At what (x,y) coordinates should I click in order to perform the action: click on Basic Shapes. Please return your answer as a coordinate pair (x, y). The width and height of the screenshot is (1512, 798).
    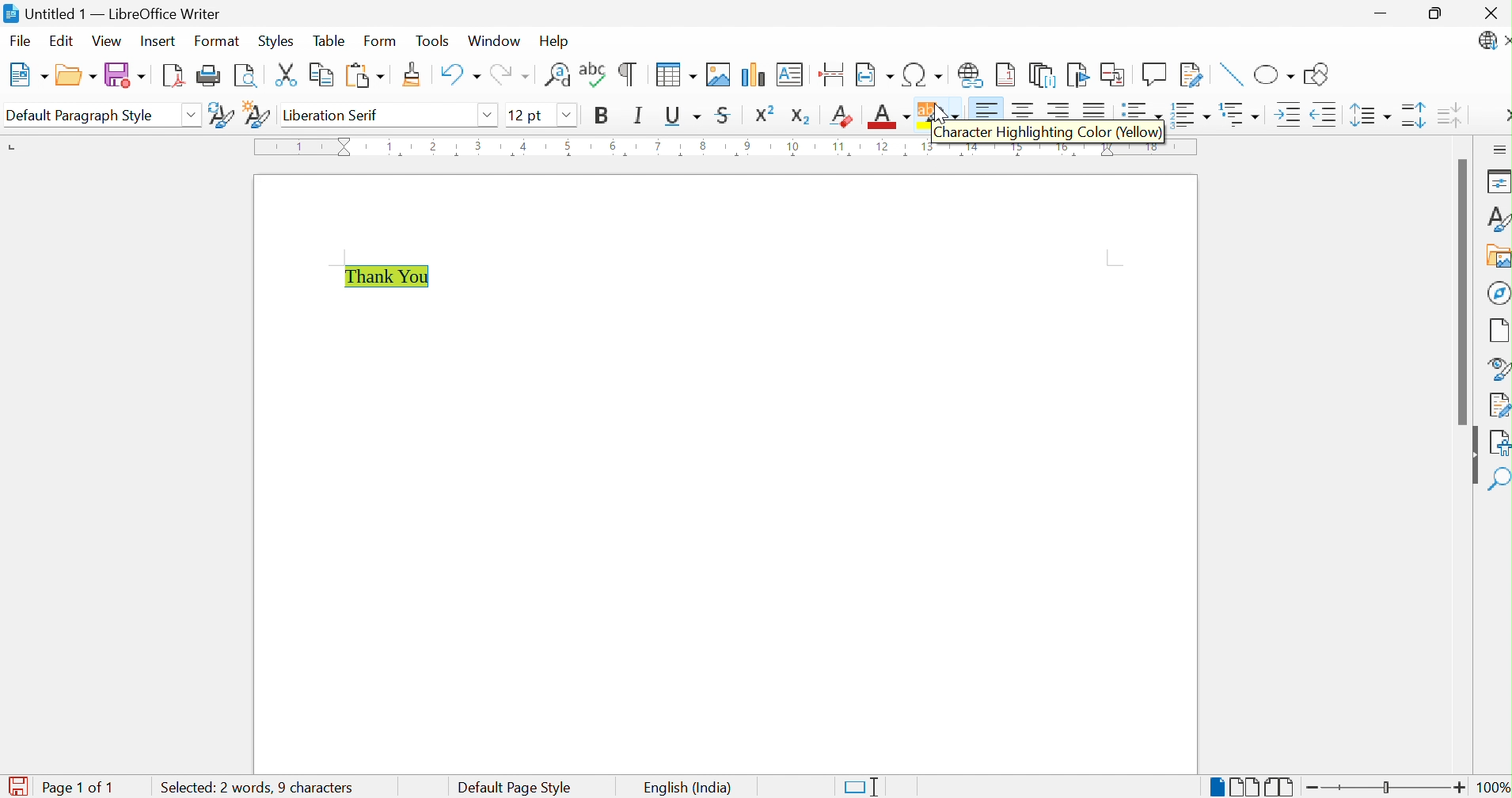
    Looking at the image, I should click on (1272, 72).